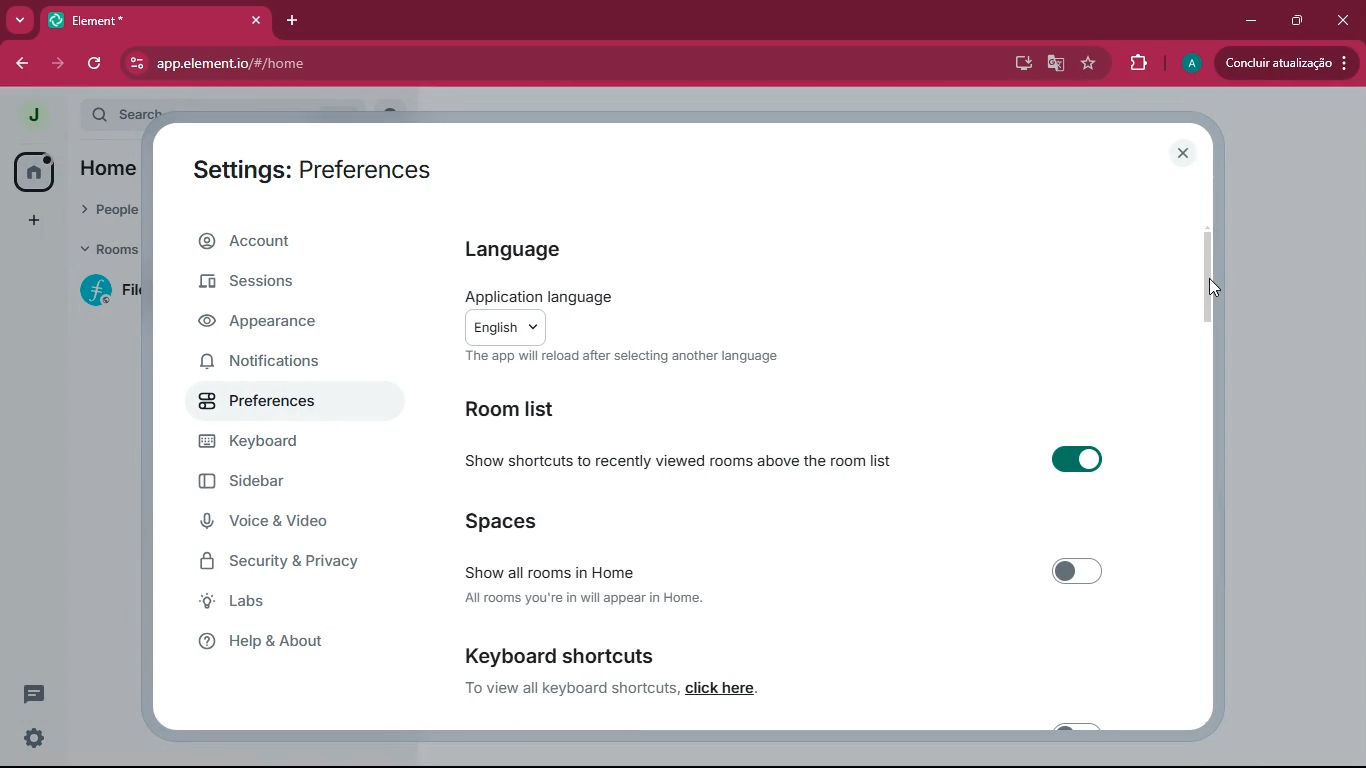 This screenshot has width=1366, height=768. I want to click on close, so click(1182, 153).